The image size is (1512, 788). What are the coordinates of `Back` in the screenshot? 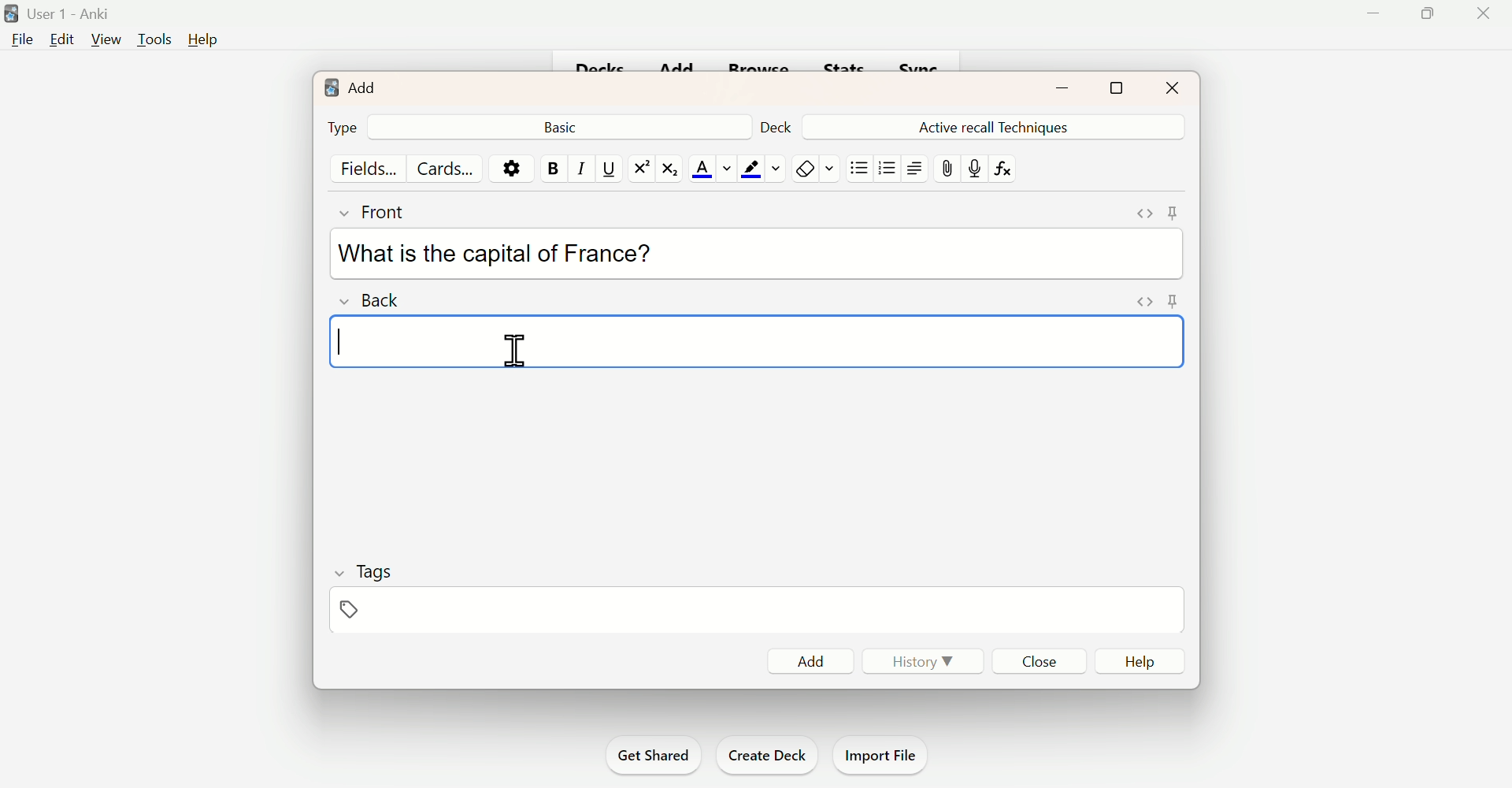 It's located at (562, 125).